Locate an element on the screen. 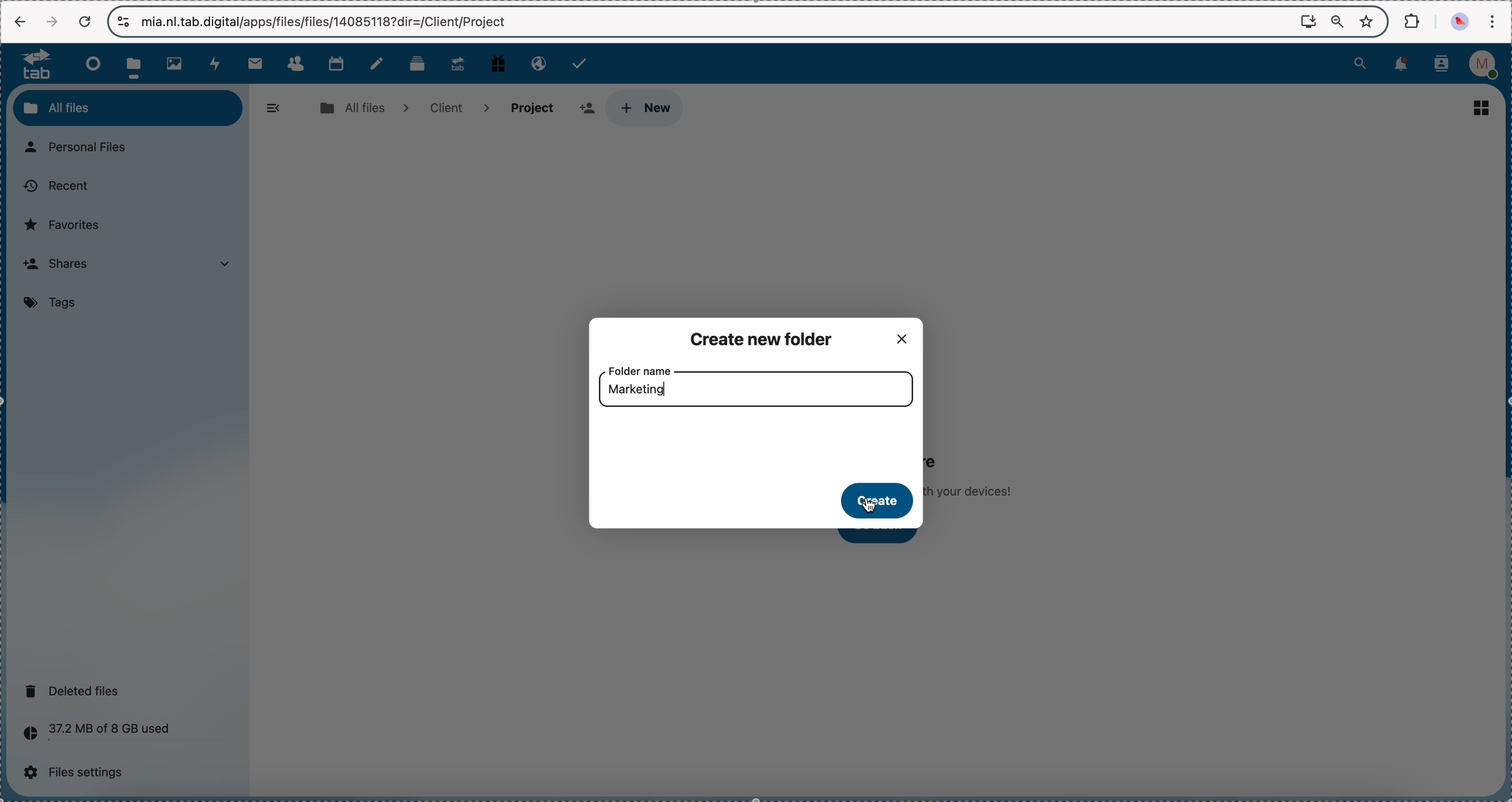 The width and height of the screenshot is (1512, 802). create new folder is located at coordinates (765, 338).